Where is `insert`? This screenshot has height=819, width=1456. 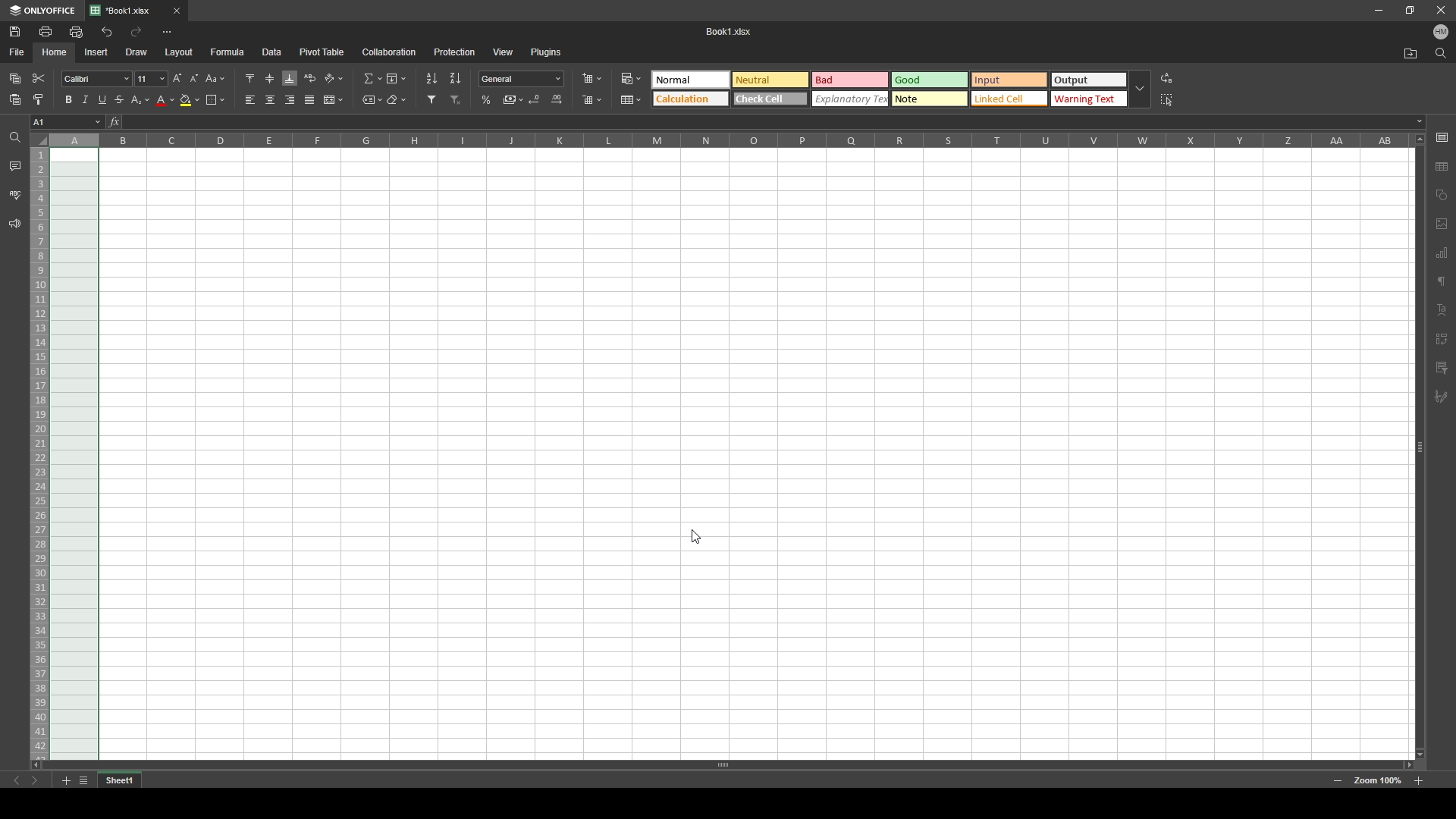 insert is located at coordinates (93, 52).